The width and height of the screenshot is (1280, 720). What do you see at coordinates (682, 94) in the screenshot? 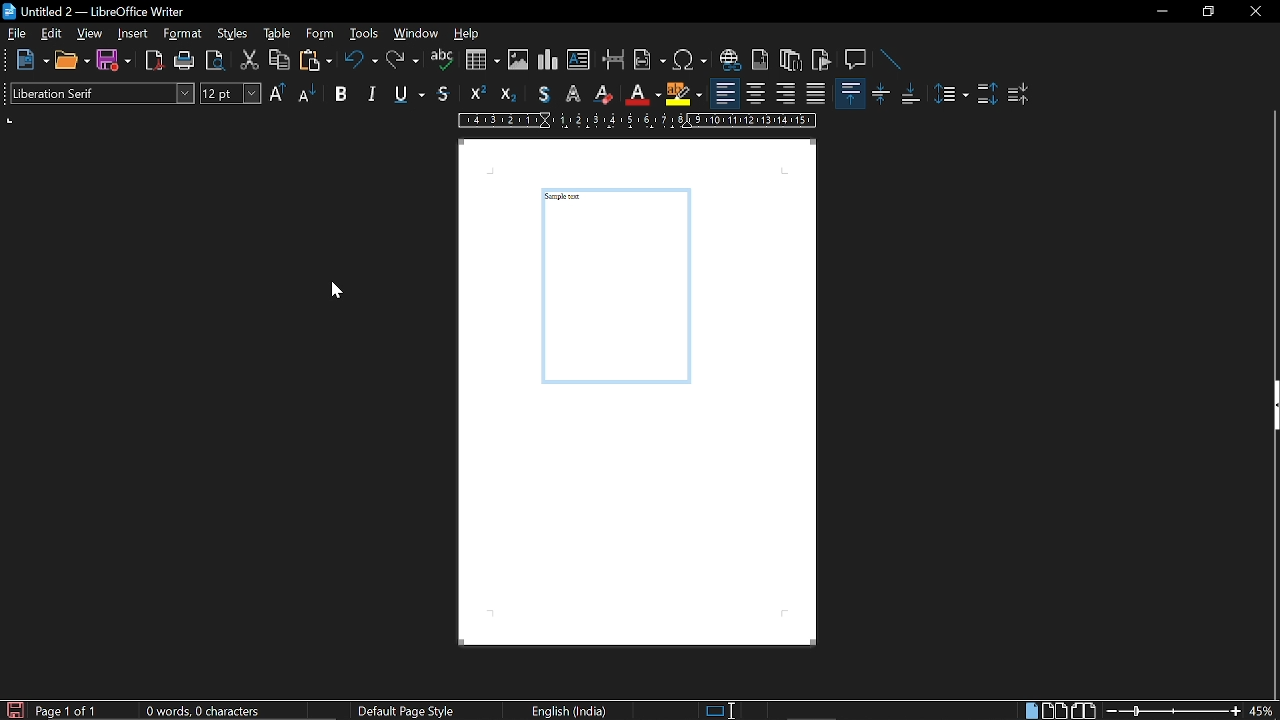
I see `highlight` at bounding box center [682, 94].